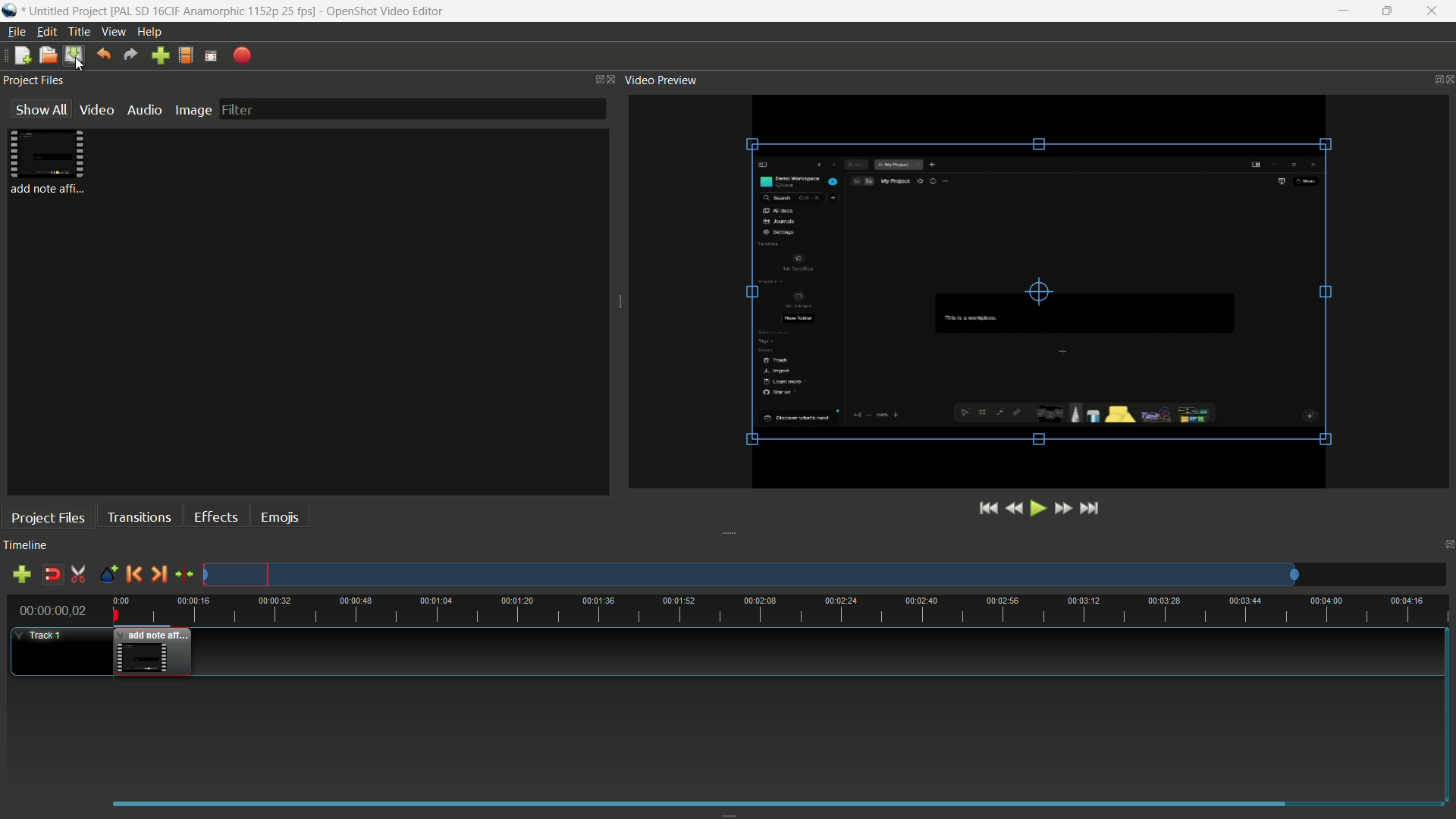  Describe the element at coordinates (210, 56) in the screenshot. I see `full screen` at that location.